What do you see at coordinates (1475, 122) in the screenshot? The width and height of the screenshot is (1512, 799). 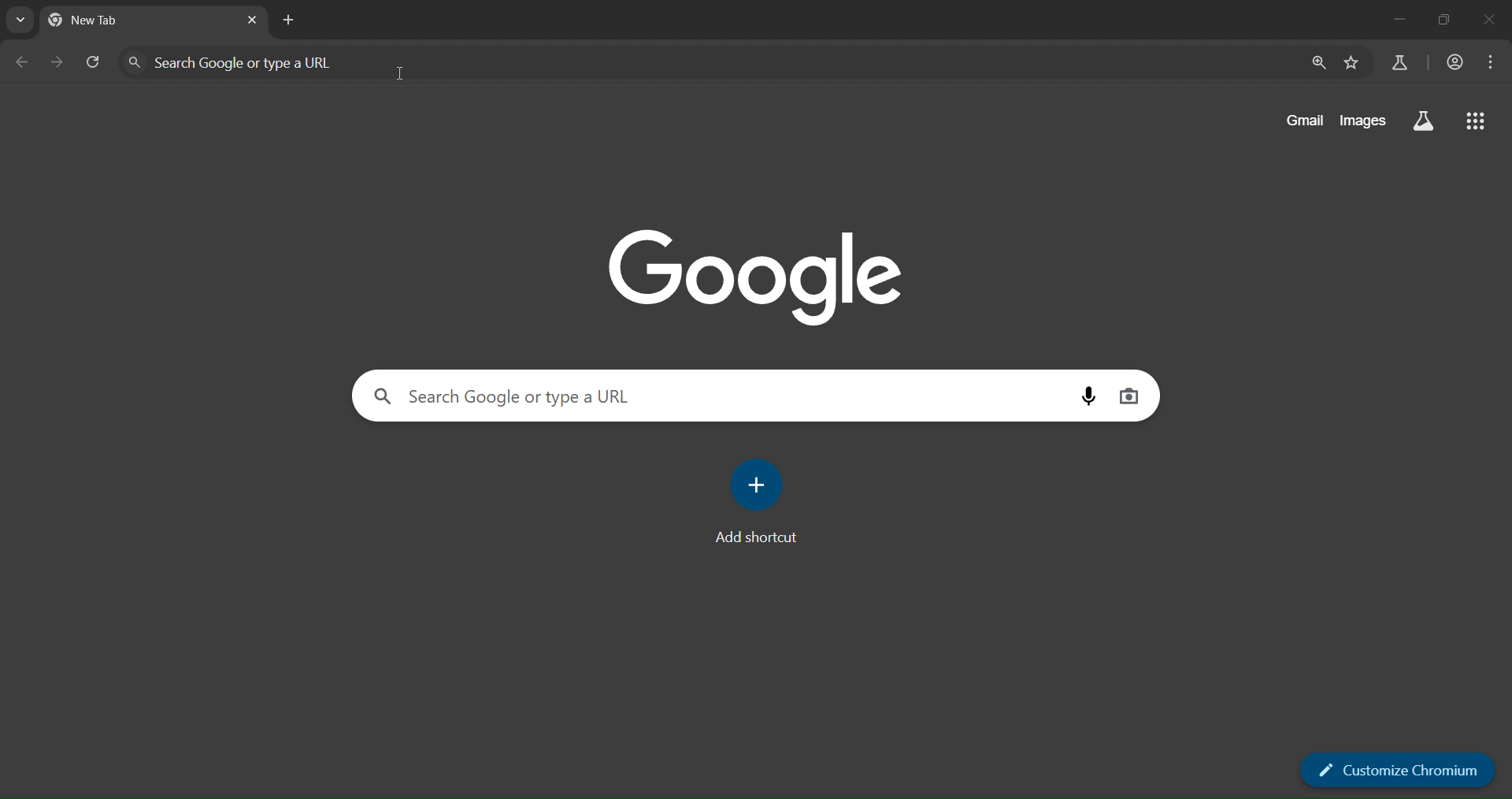 I see `google apps` at bounding box center [1475, 122].